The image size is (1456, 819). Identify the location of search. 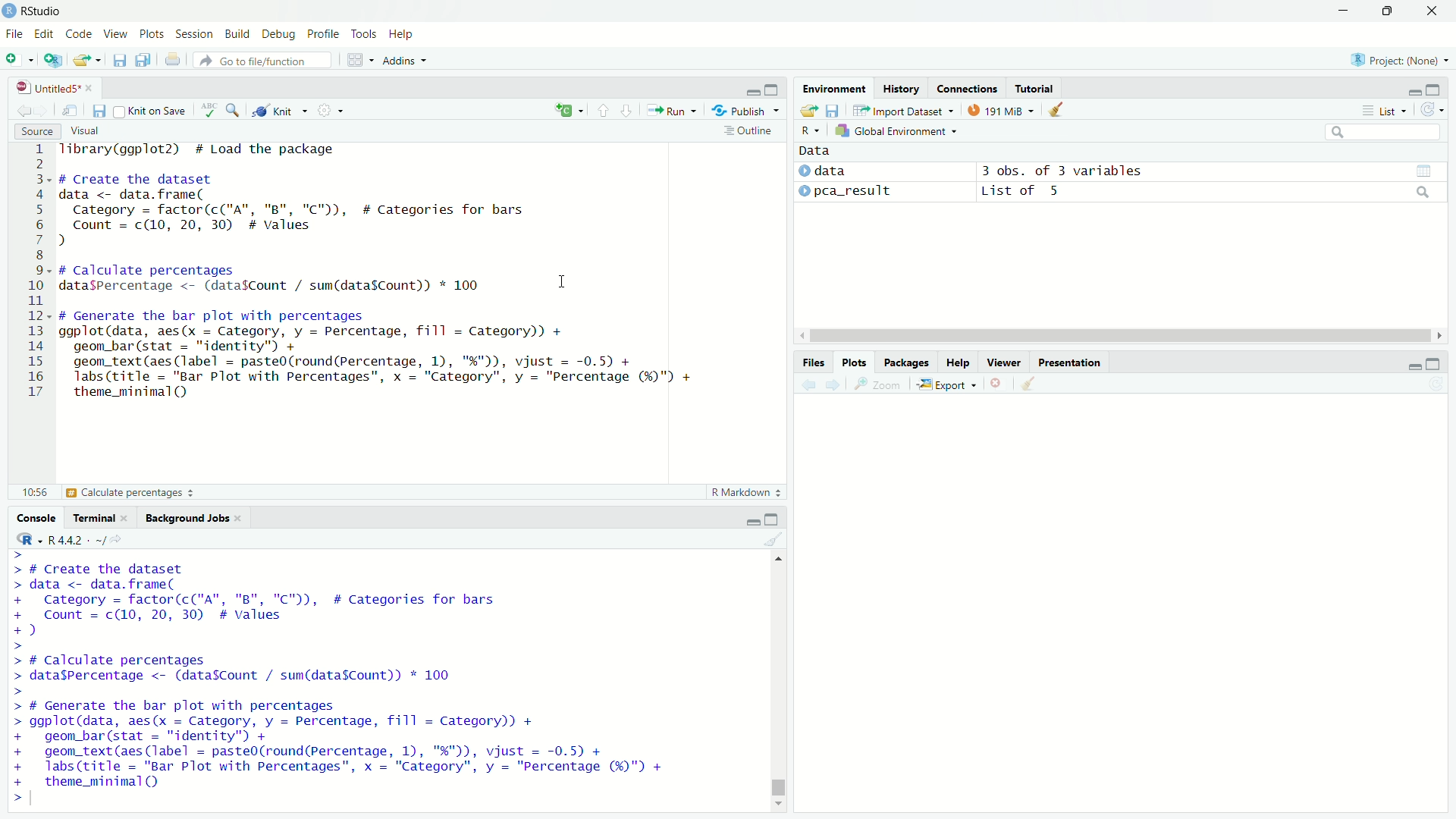
(1382, 131).